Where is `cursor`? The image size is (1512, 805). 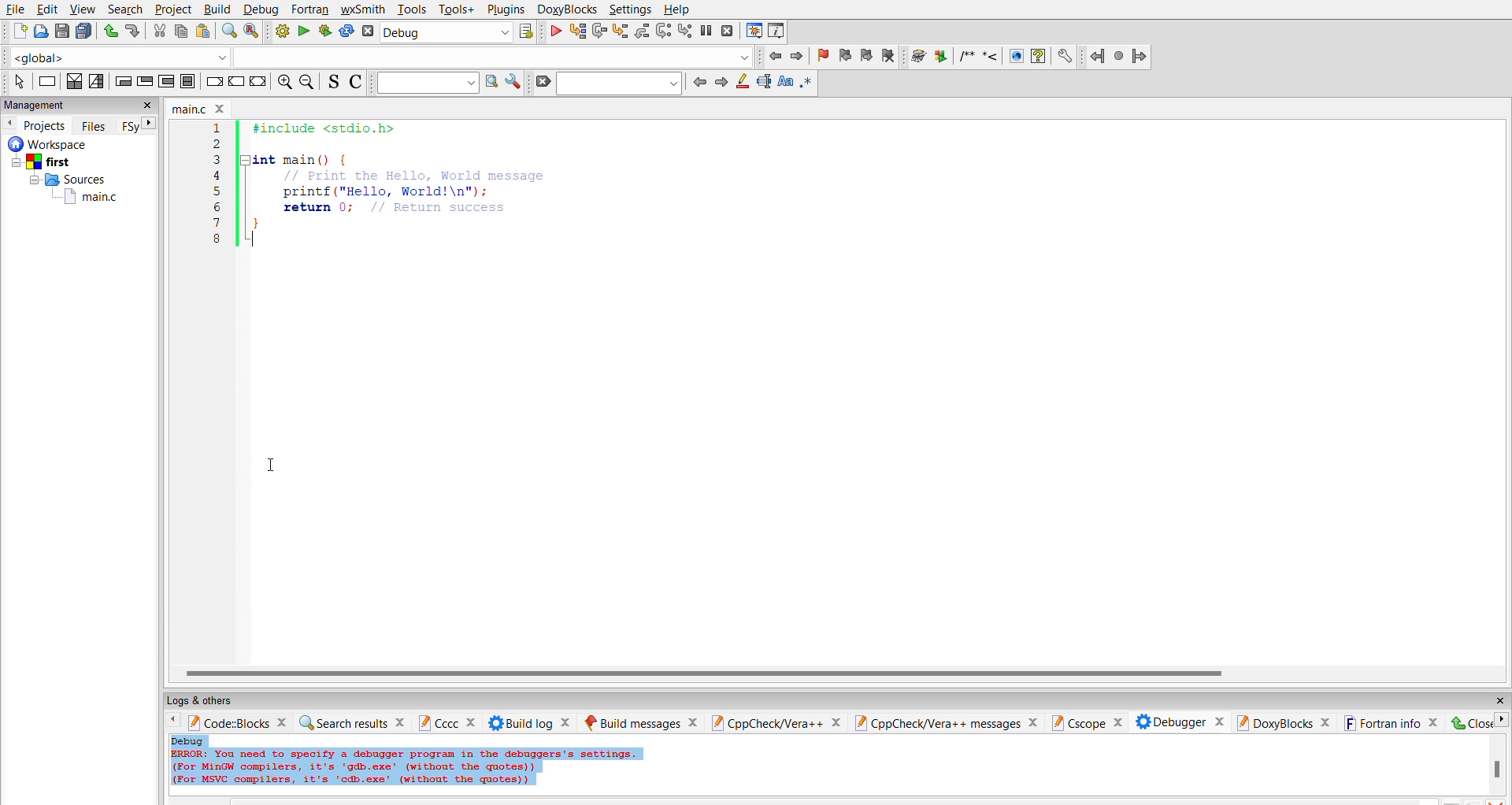 cursor is located at coordinates (278, 466).